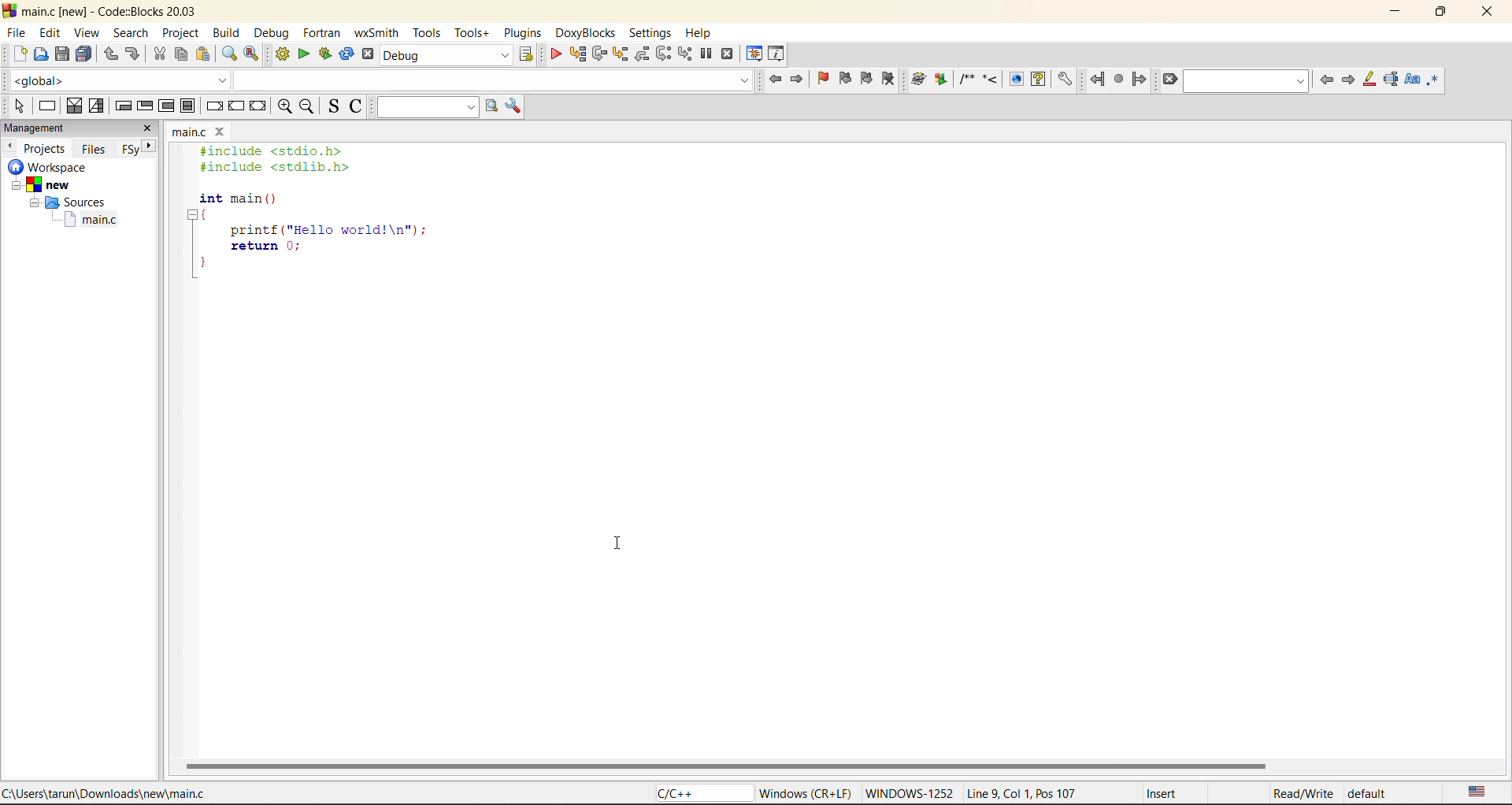 Image resolution: width=1512 pixels, height=805 pixels. What do you see at coordinates (1301, 792) in the screenshot?
I see `Read/Write` at bounding box center [1301, 792].